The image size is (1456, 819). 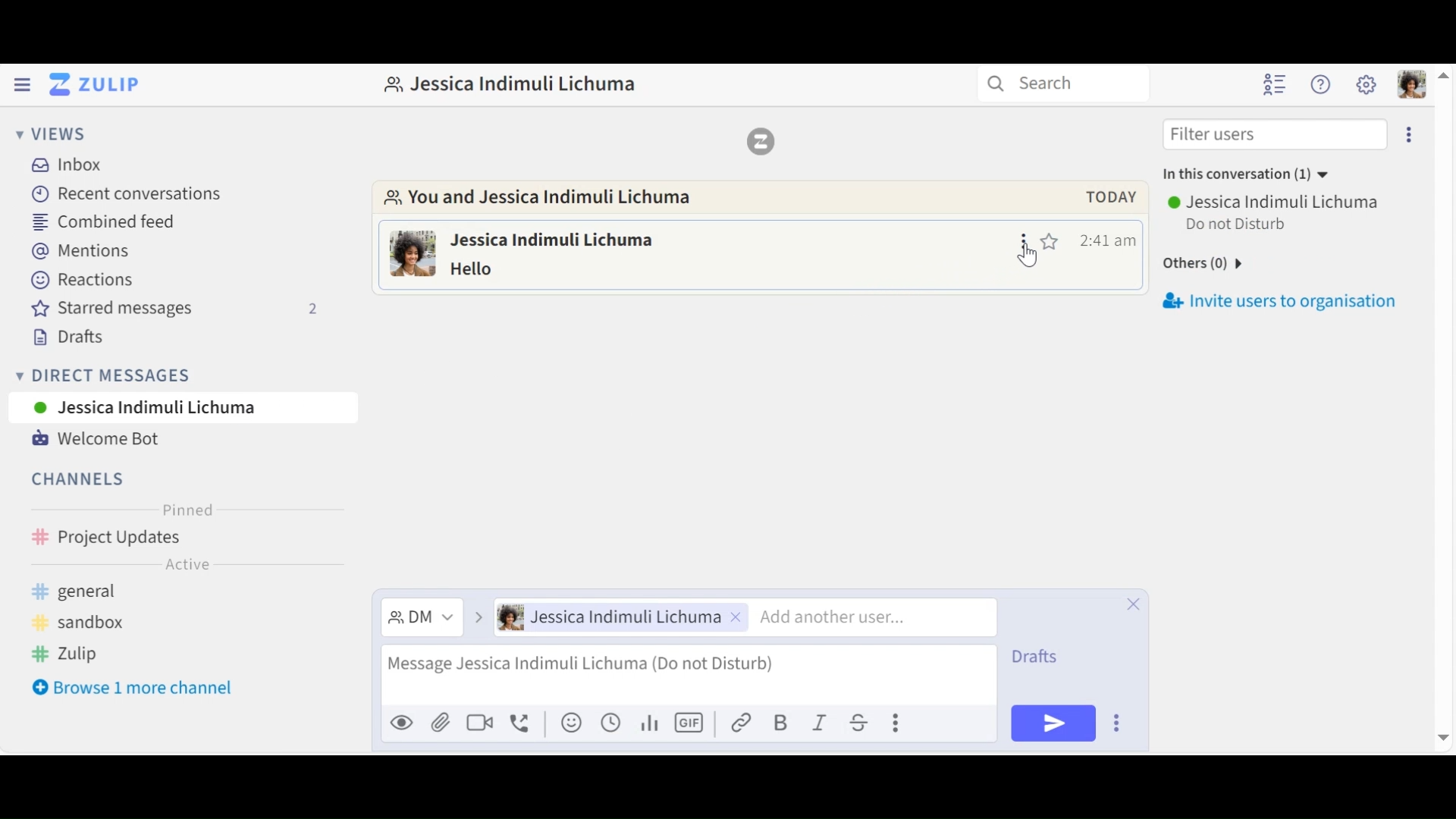 What do you see at coordinates (574, 238) in the screenshot?
I see `user name` at bounding box center [574, 238].